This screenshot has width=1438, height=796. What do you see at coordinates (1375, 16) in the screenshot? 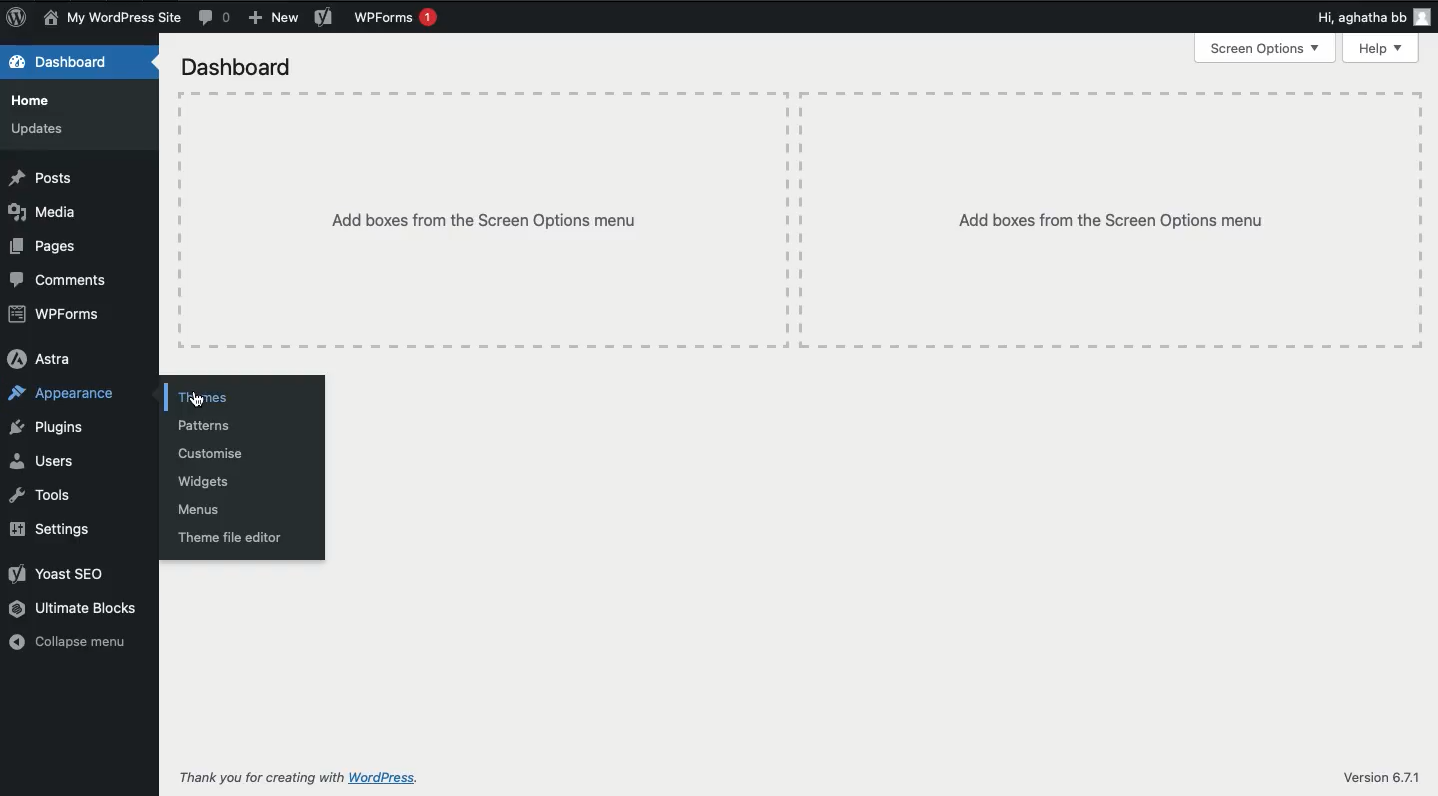
I see `Hi user` at bounding box center [1375, 16].